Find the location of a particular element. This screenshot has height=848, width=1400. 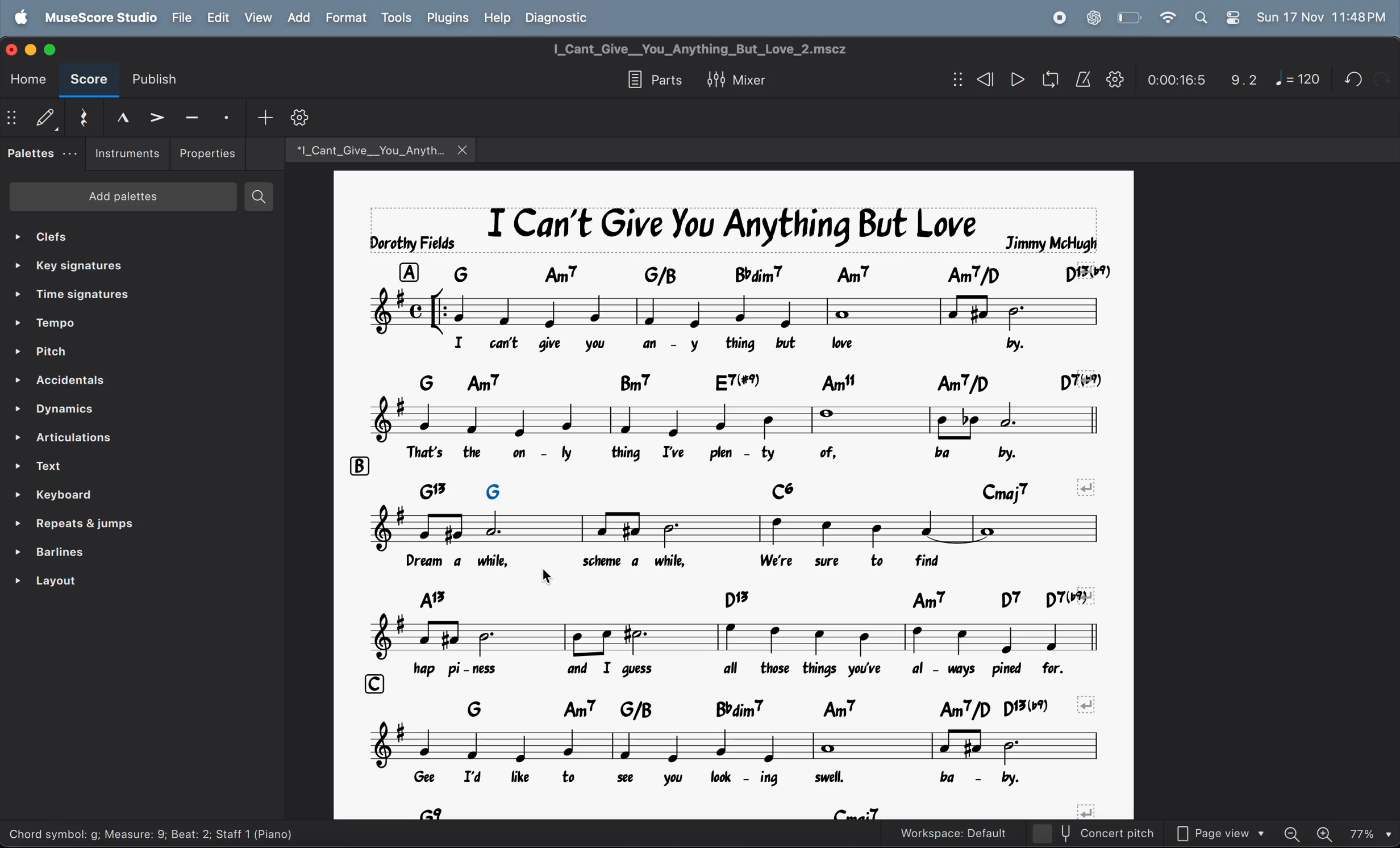

loop playback is located at coordinates (1047, 80).